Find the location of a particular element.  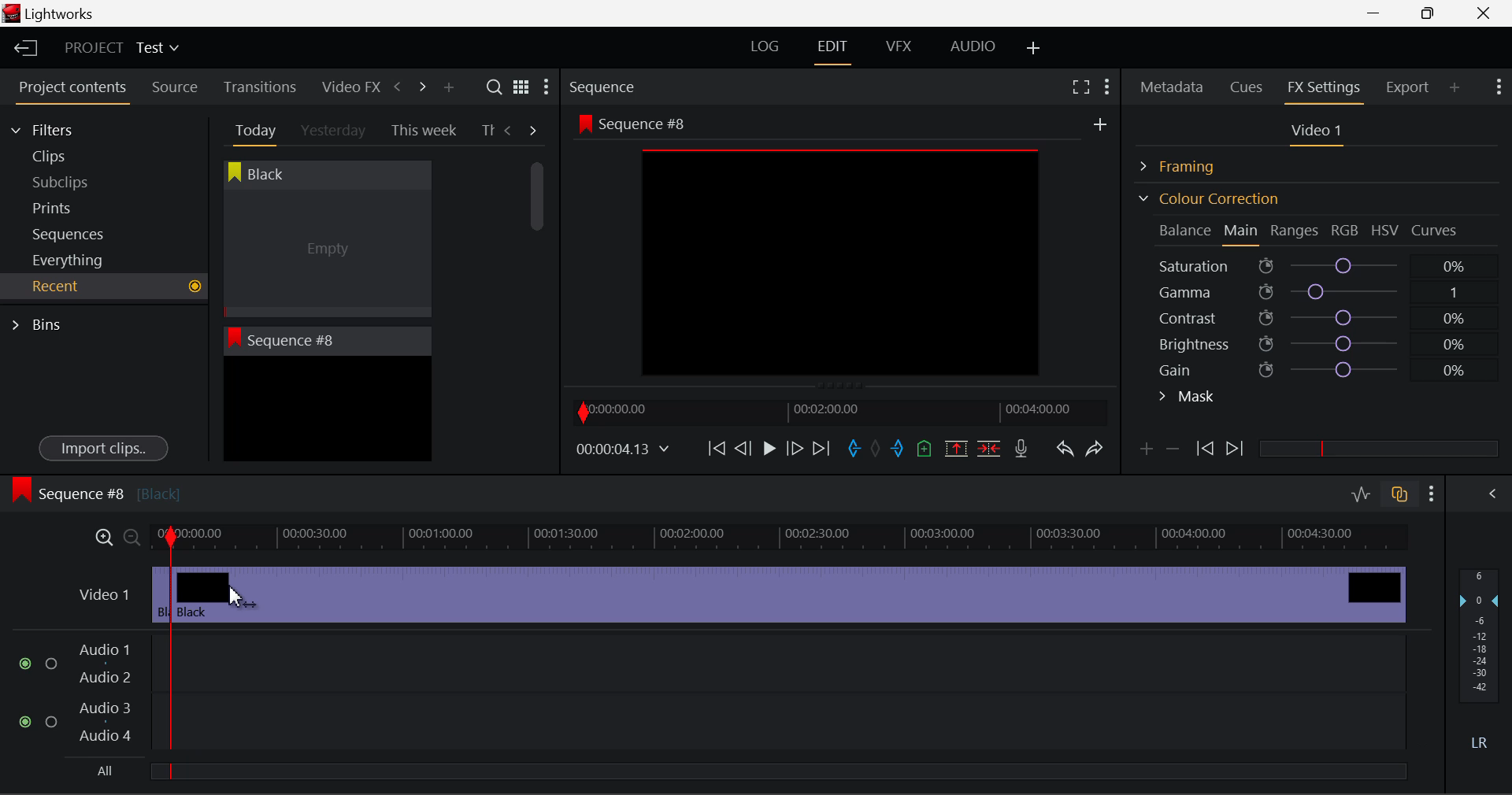

Full Screen is located at coordinates (1080, 86).